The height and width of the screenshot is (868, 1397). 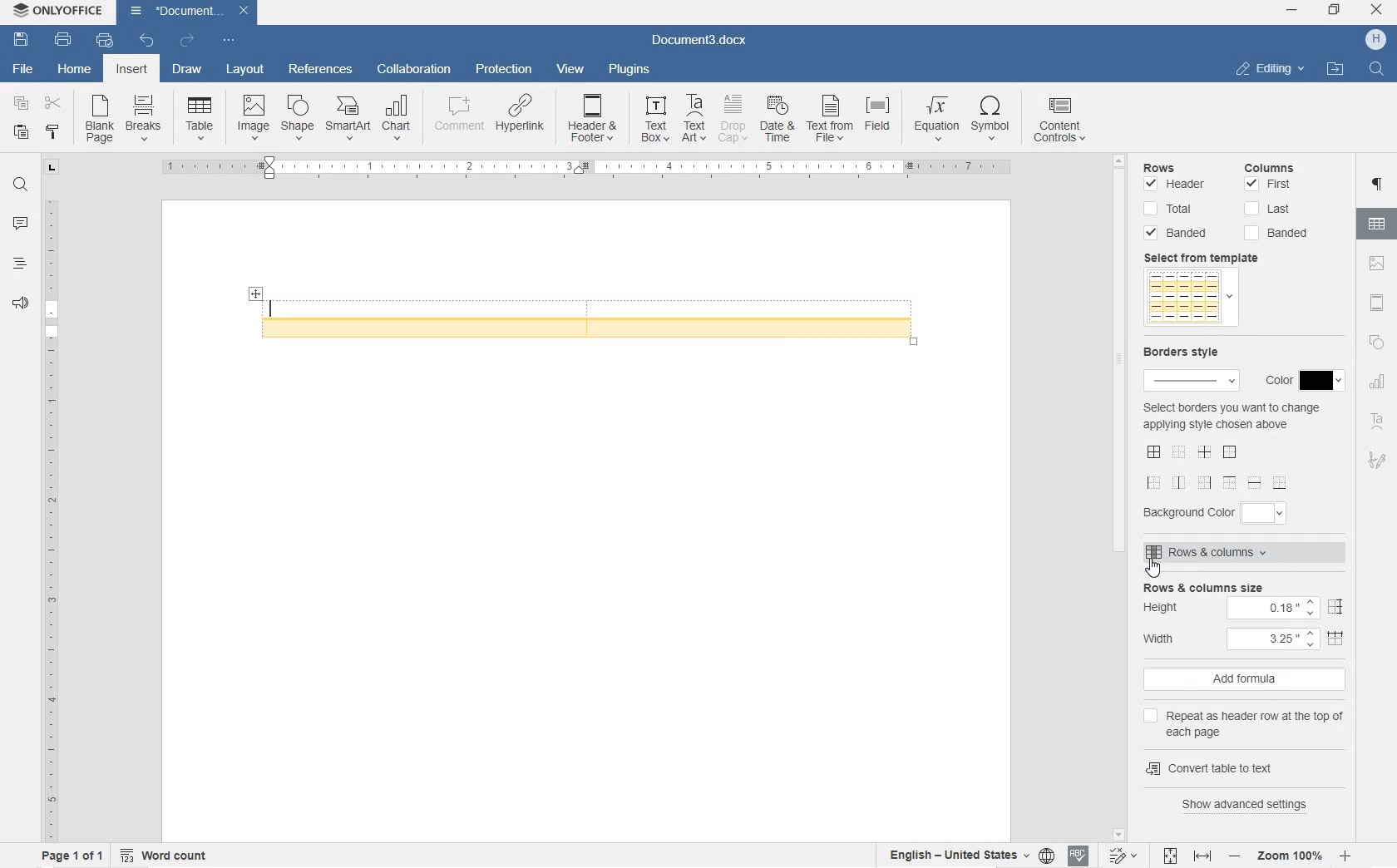 I want to click on Height, so click(x=1243, y=609).